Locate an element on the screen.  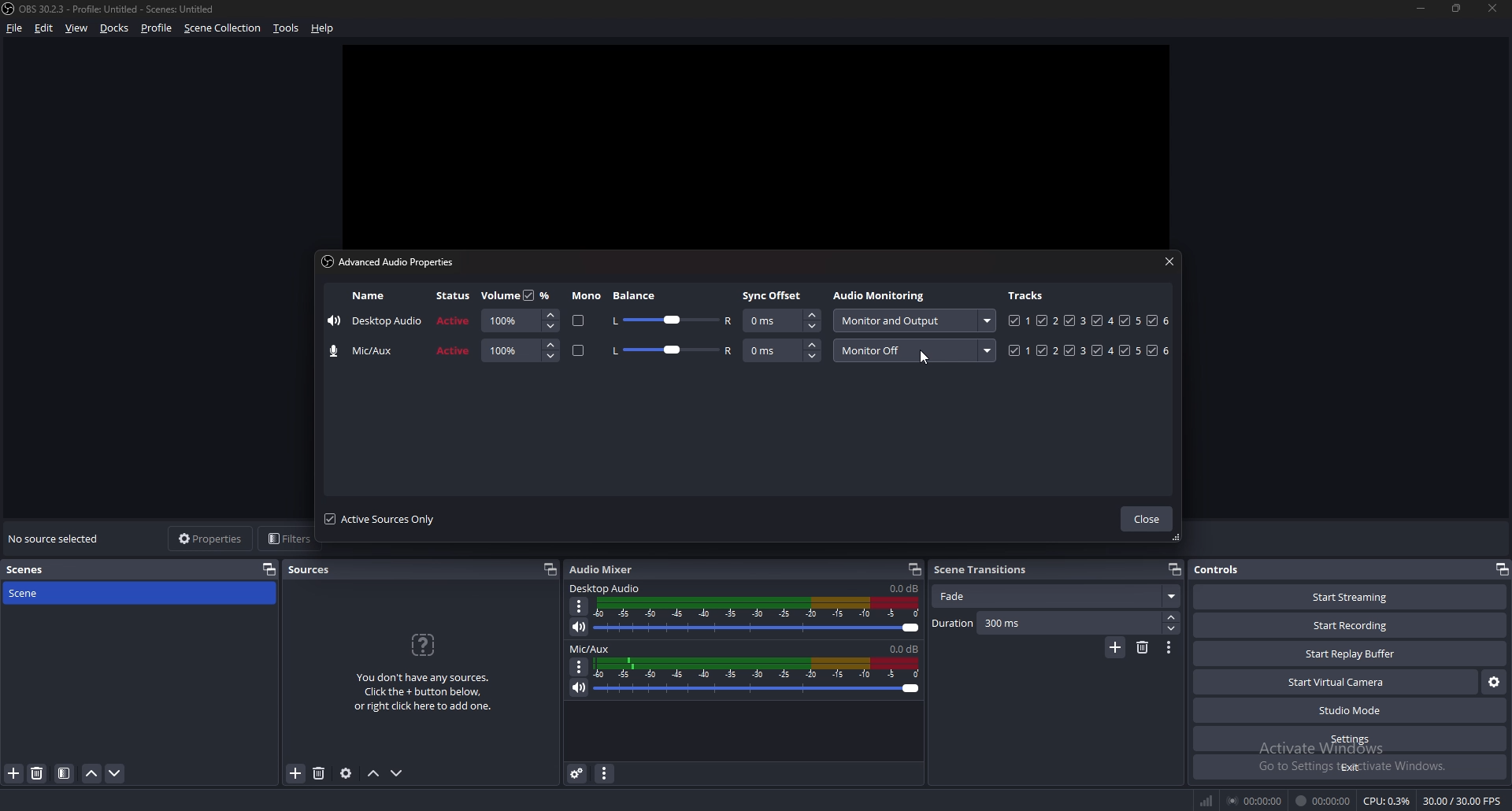
obs logo is located at coordinates (10, 9).